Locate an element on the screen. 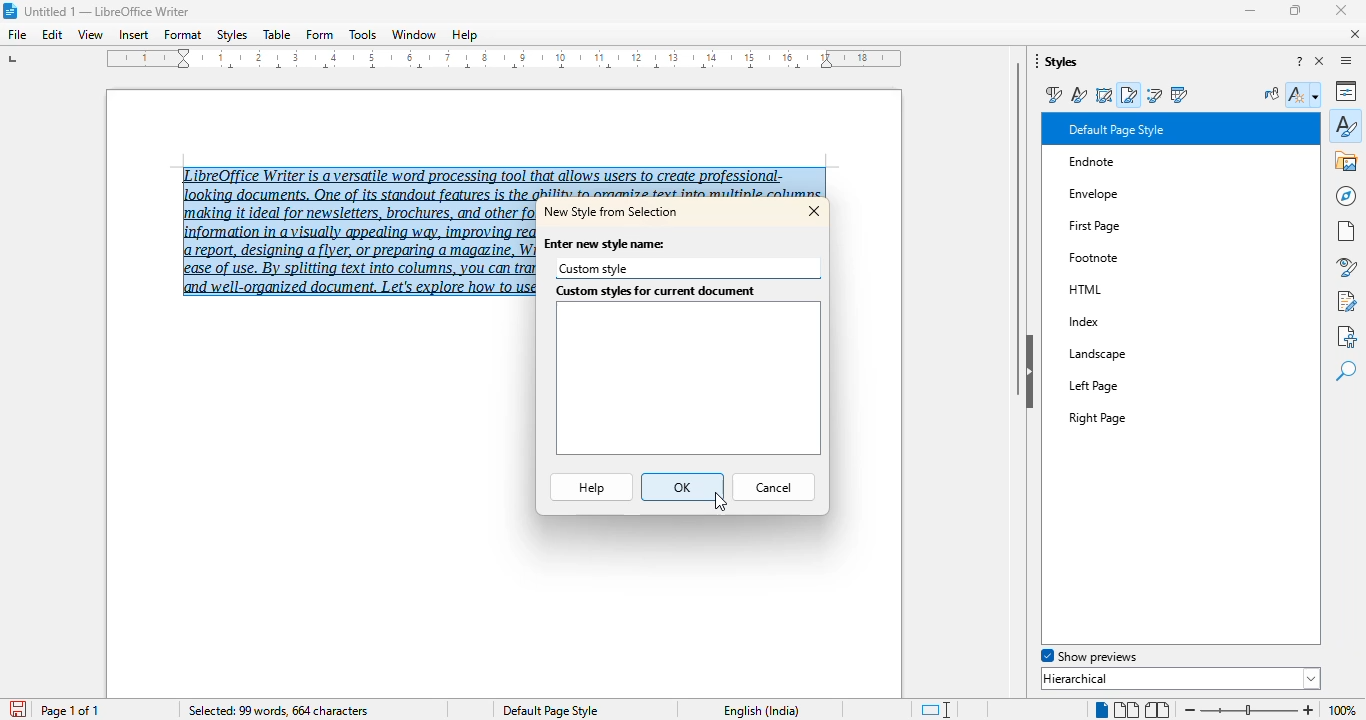  save document is located at coordinates (19, 708).